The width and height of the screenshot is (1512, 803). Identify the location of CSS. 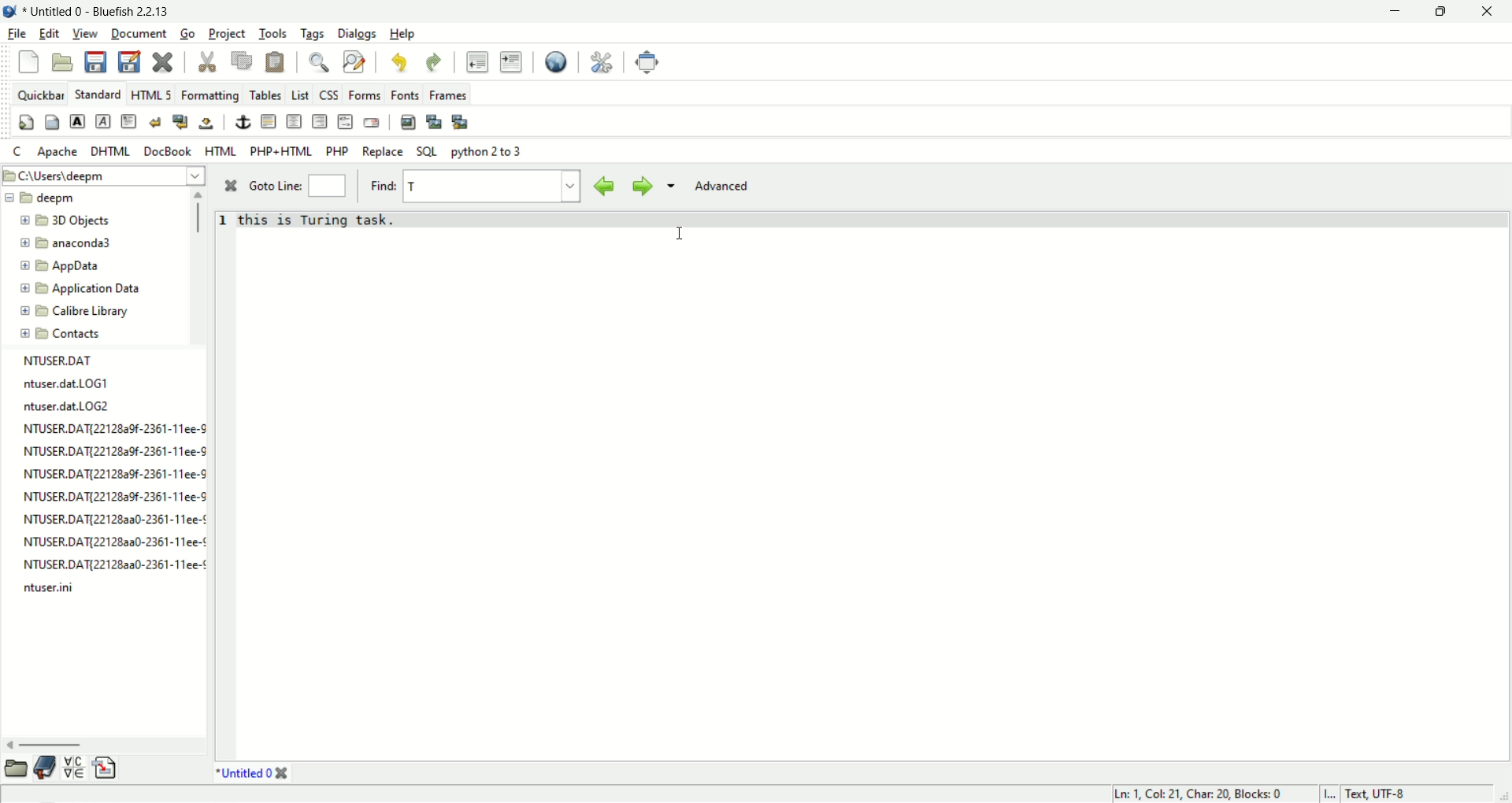
(330, 96).